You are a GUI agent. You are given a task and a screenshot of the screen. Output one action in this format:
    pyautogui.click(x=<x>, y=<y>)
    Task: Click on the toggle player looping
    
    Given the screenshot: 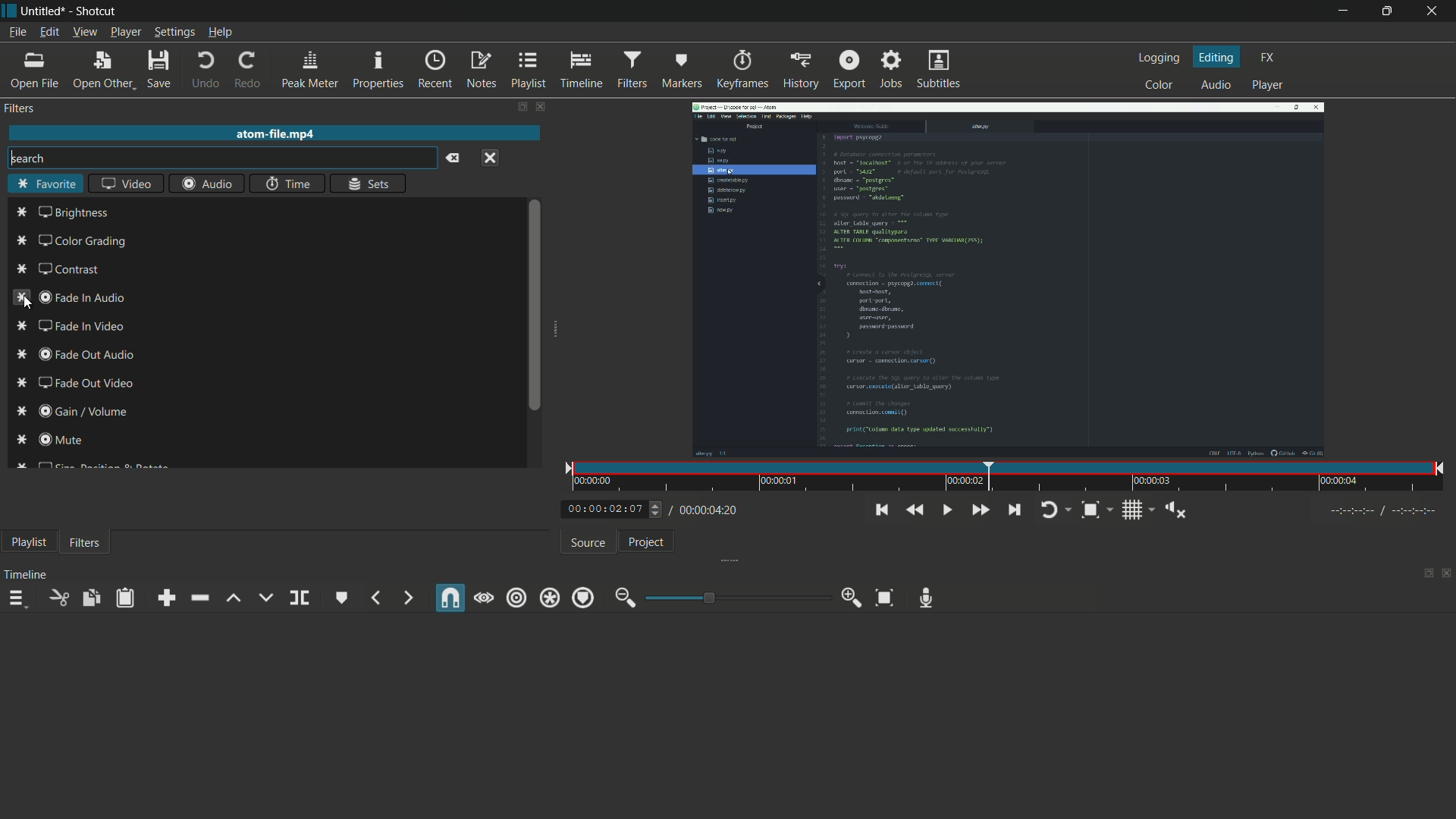 What is the action you would take?
    pyautogui.click(x=1057, y=510)
    